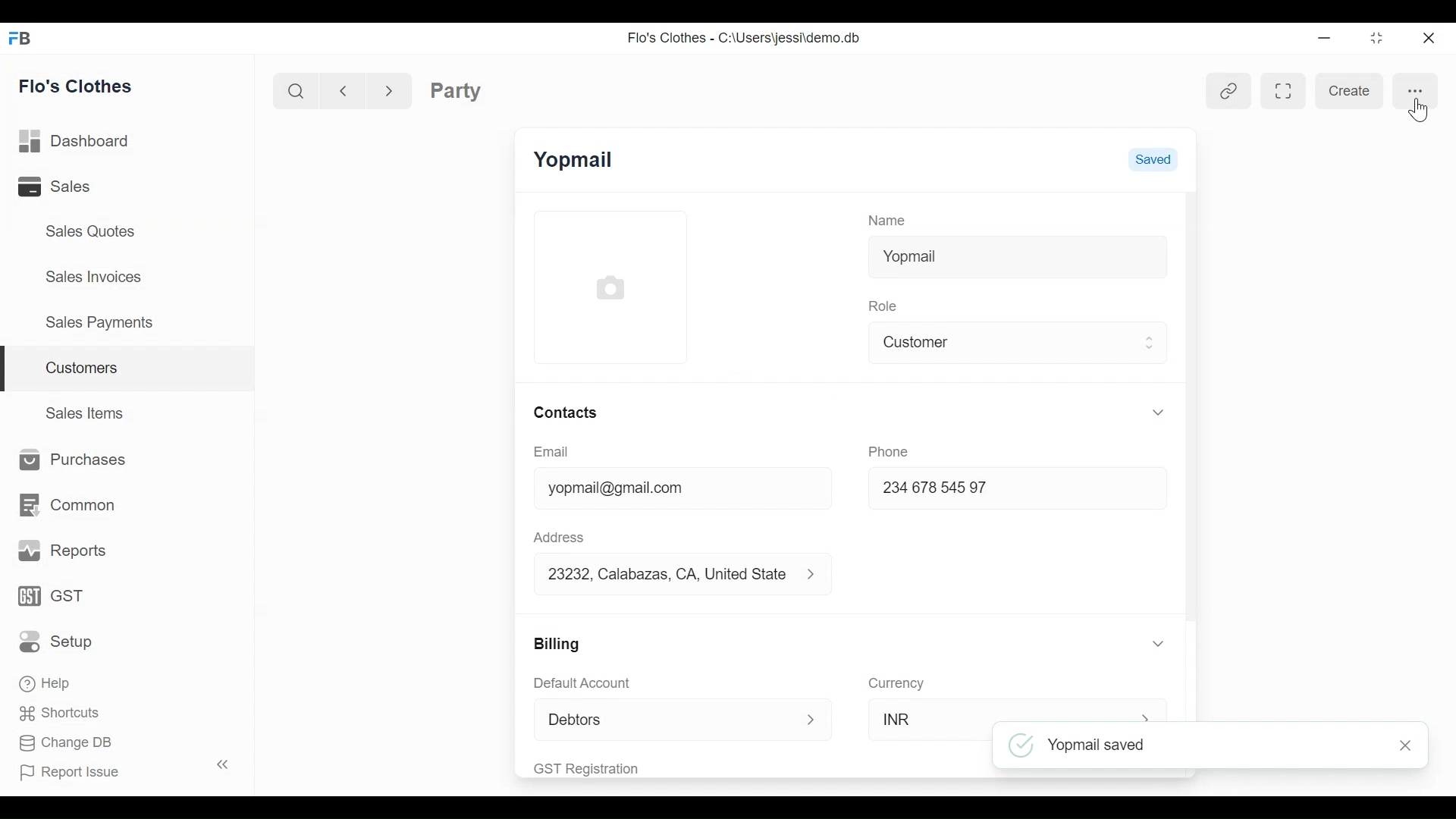  Describe the element at coordinates (1159, 644) in the screenshot. I see `Expand` at that location.